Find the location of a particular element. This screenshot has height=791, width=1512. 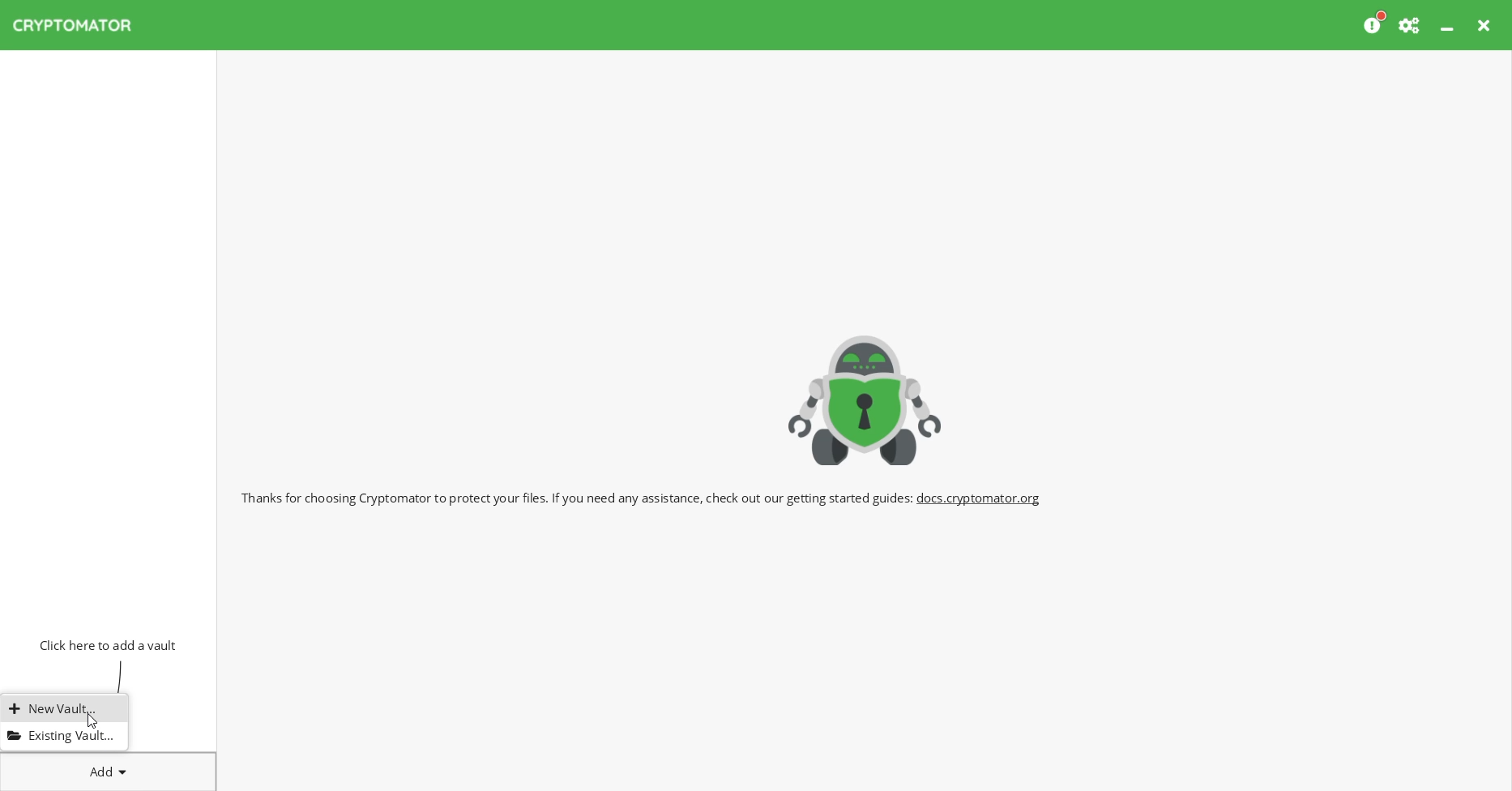

Thanks for choosing Cryptomator to protect your files. If you need assistance, check out our getting started guides. docs.cryptomator.org is located at coordinates (643, 496).